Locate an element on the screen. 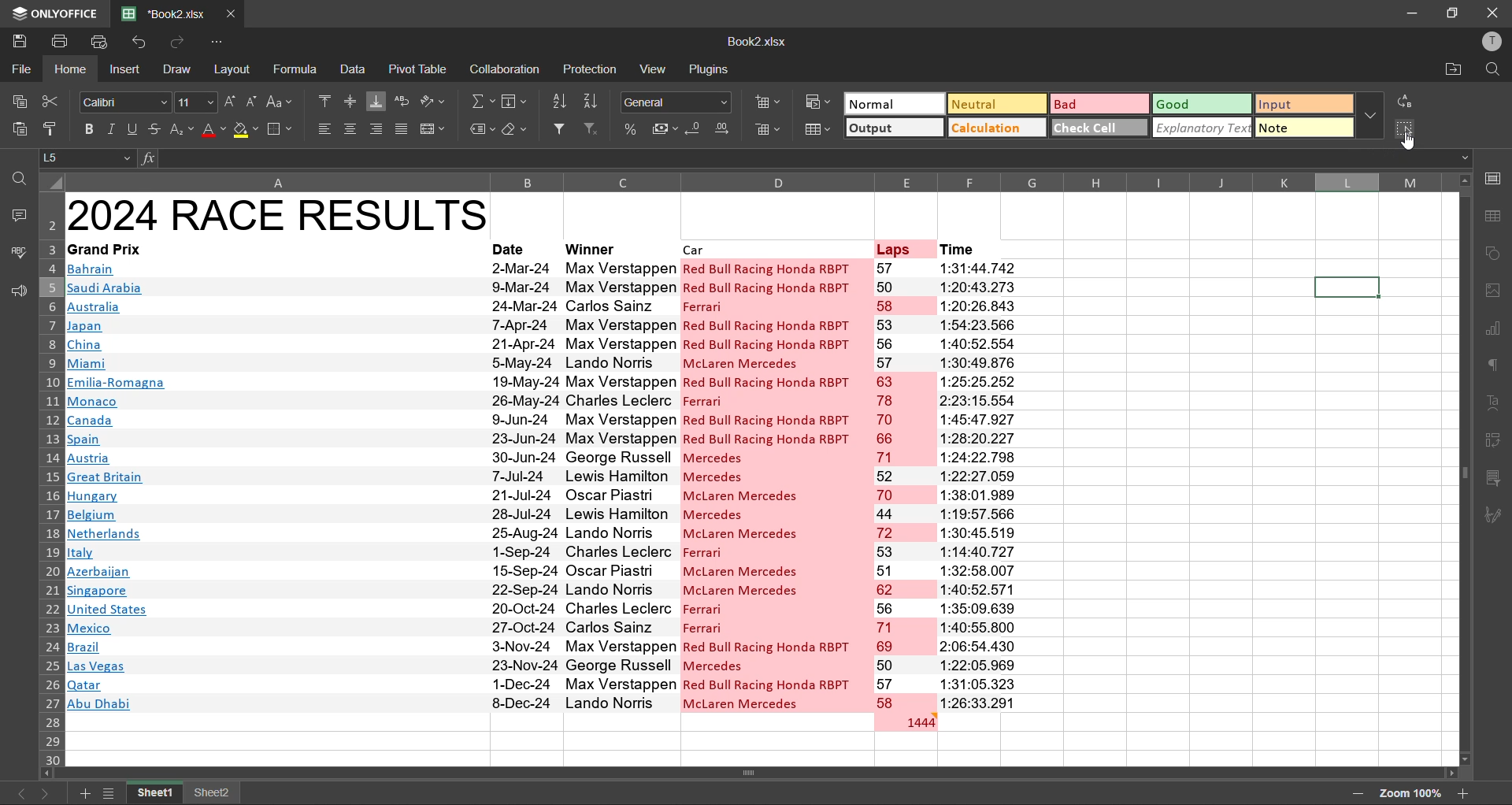 Image resolution: width=1512 pixels, height=805 pixels. next is located at coordinates (44, 793).